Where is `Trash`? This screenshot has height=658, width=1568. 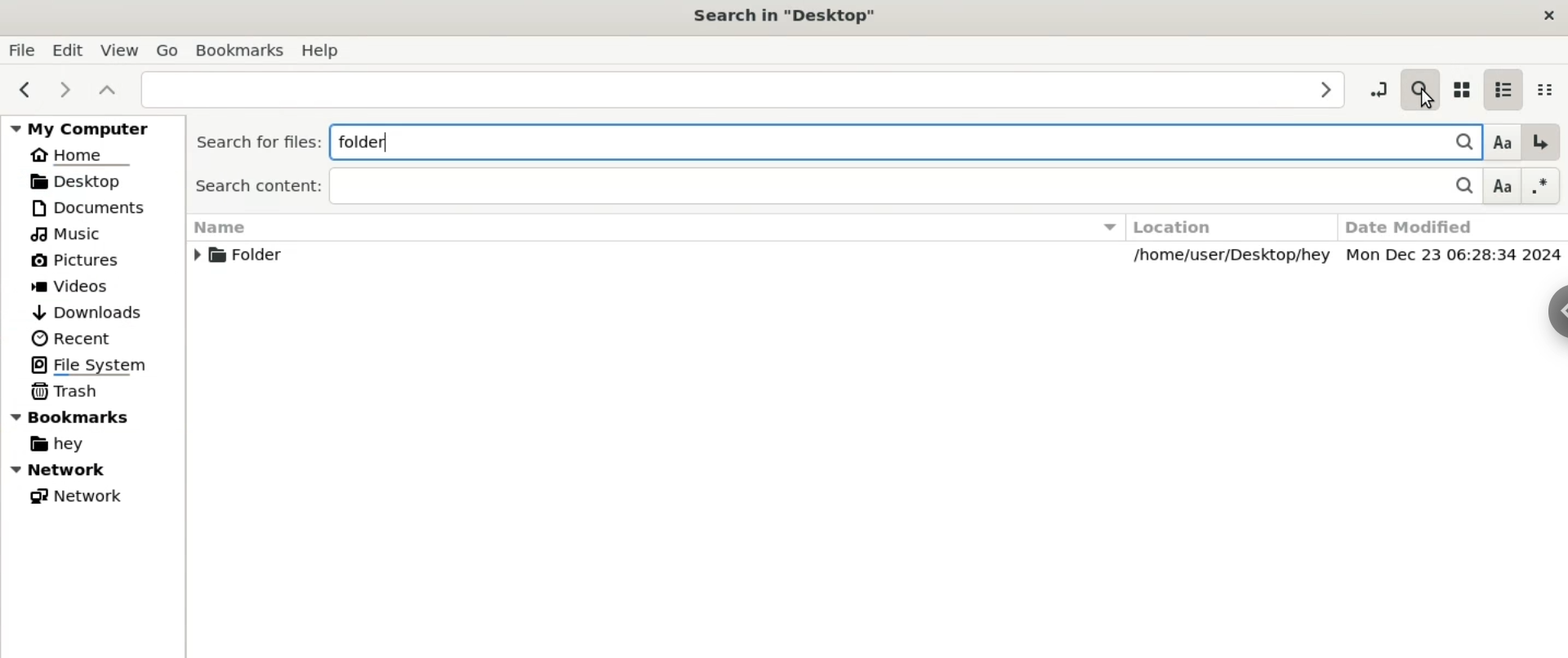 Trash is located at coordinates (65, 390).